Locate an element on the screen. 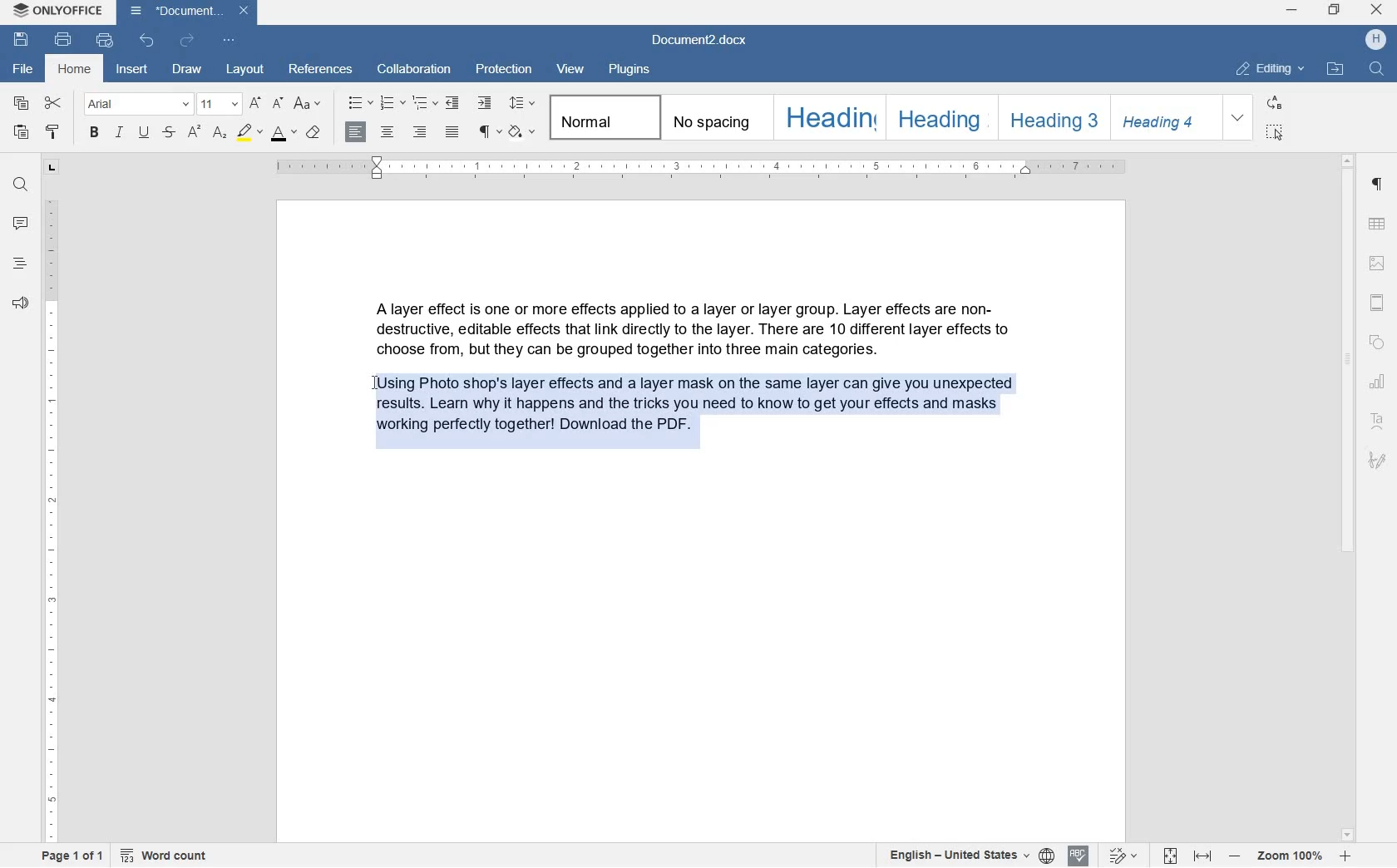 Image resolution: width=1397 pixels, height=868 pixels. PARAGRAPH SETTINGS is located at coordinates (1380, 186).